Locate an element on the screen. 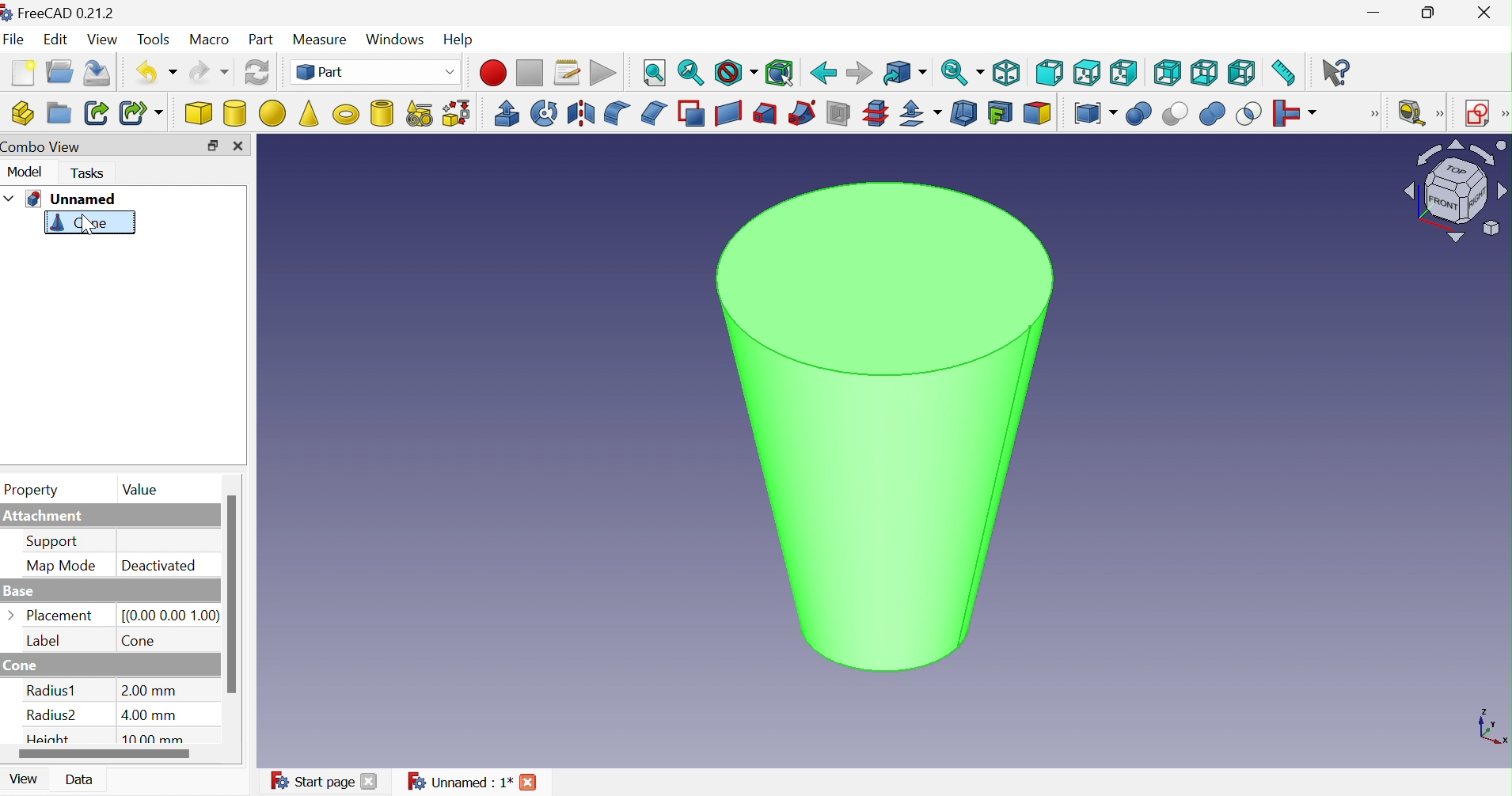  Bounding box is located at coordinates (779, 74).